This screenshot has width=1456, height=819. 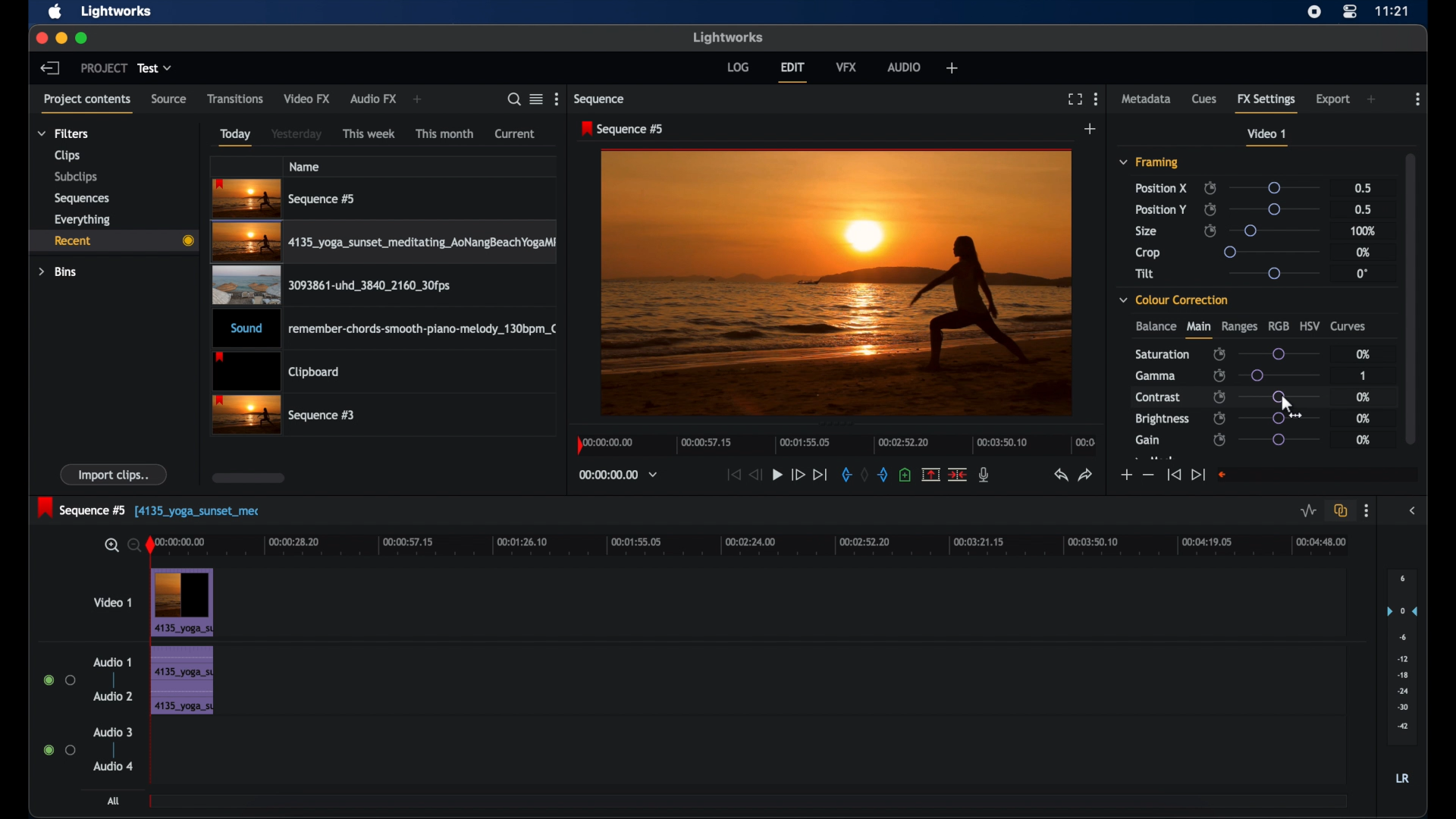 What do you see at coordinates (959, 473) in the screenshot?
I see `split` at bounding box center [959, 473].